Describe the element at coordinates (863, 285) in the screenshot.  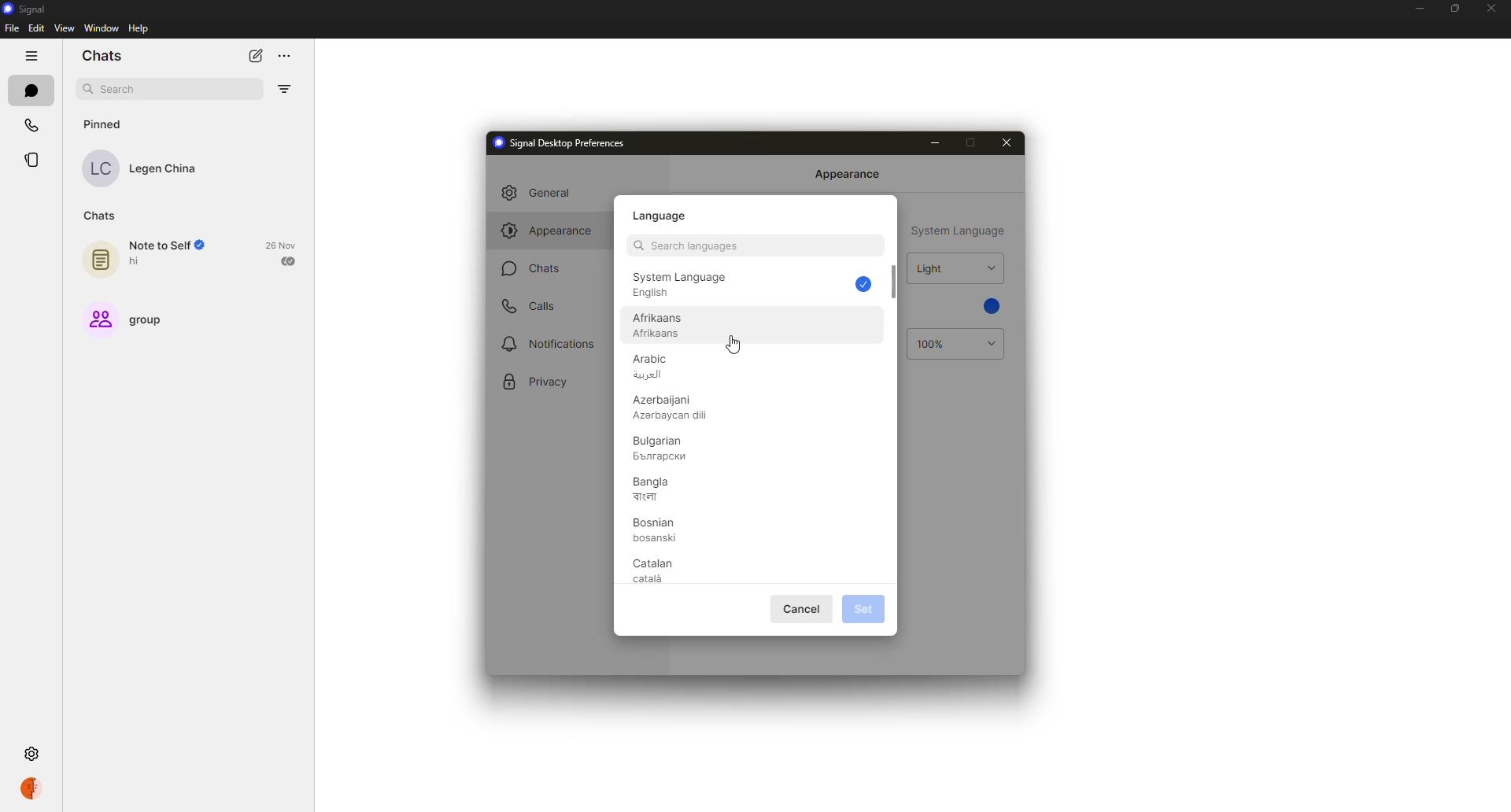
I see `selected` at that location.